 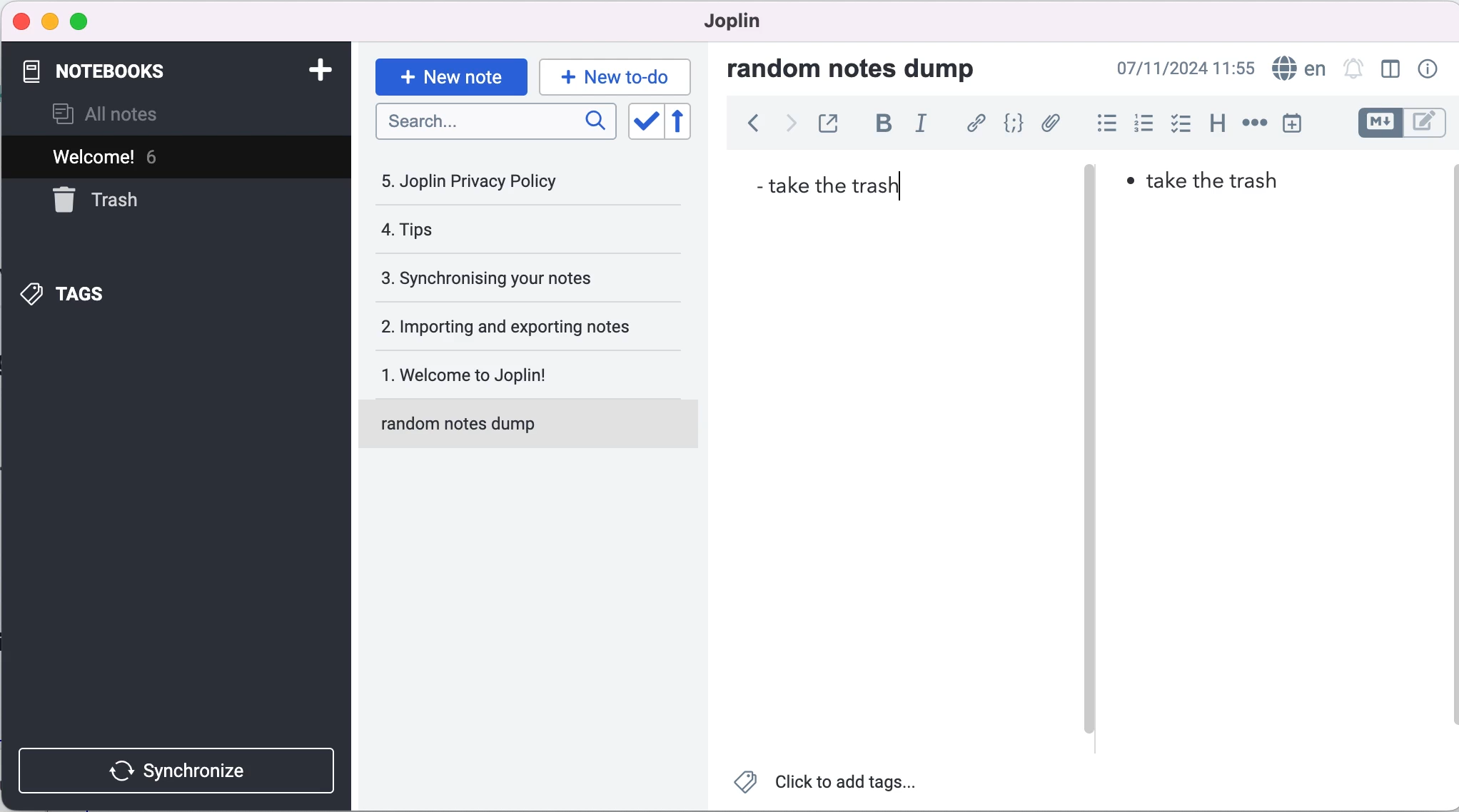 What do you see at coordinates (512, 279) in the screenshot?
I see `synchronising your notes` at bounding box center [512, 279].